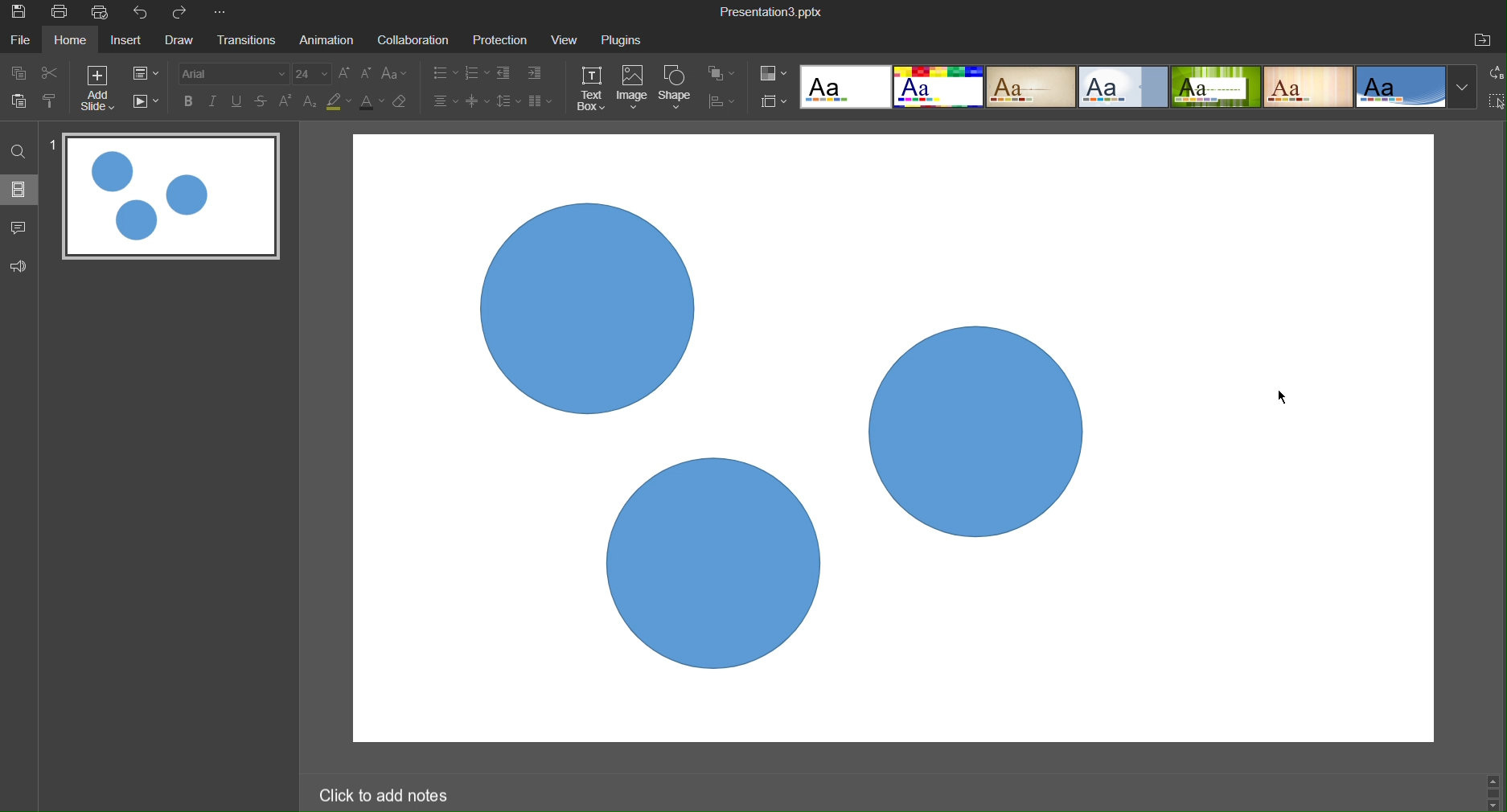 The image size is (1507, 812). I want to click on Presentation Title, so click(771, 12).